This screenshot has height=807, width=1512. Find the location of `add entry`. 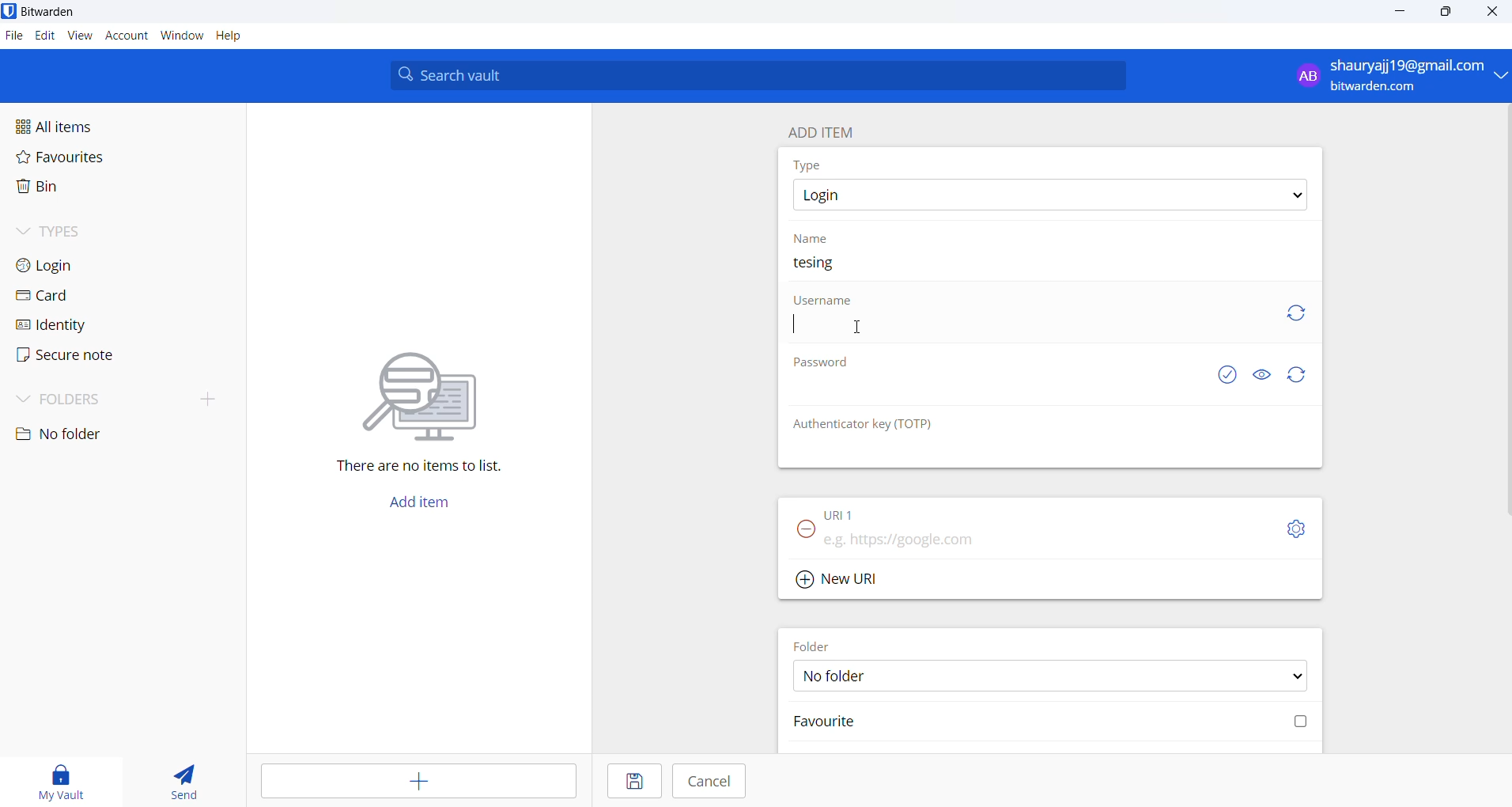

add entry is located at coordinates (421, 782).